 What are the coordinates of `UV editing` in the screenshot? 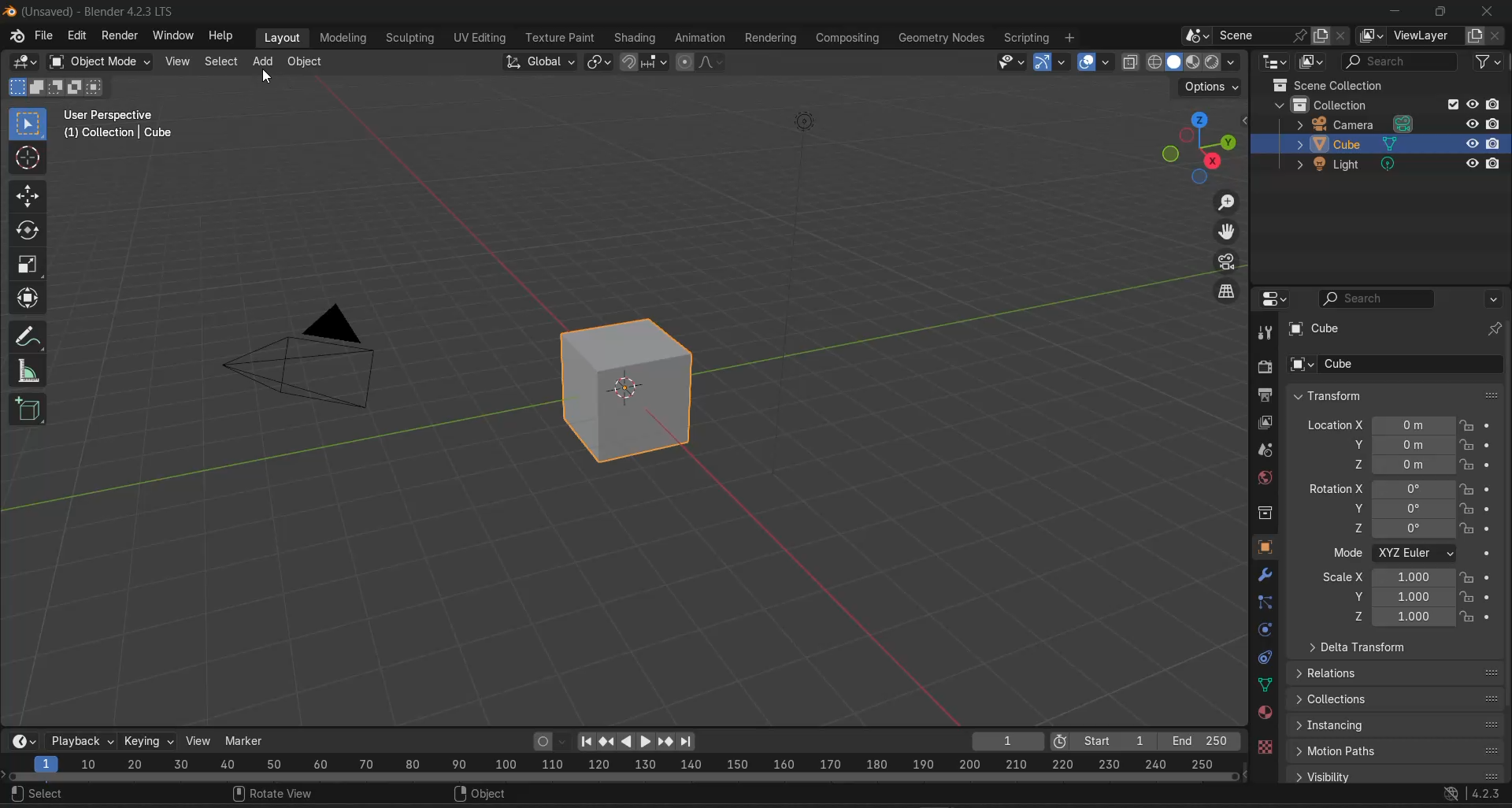 It's located at (479, 38).